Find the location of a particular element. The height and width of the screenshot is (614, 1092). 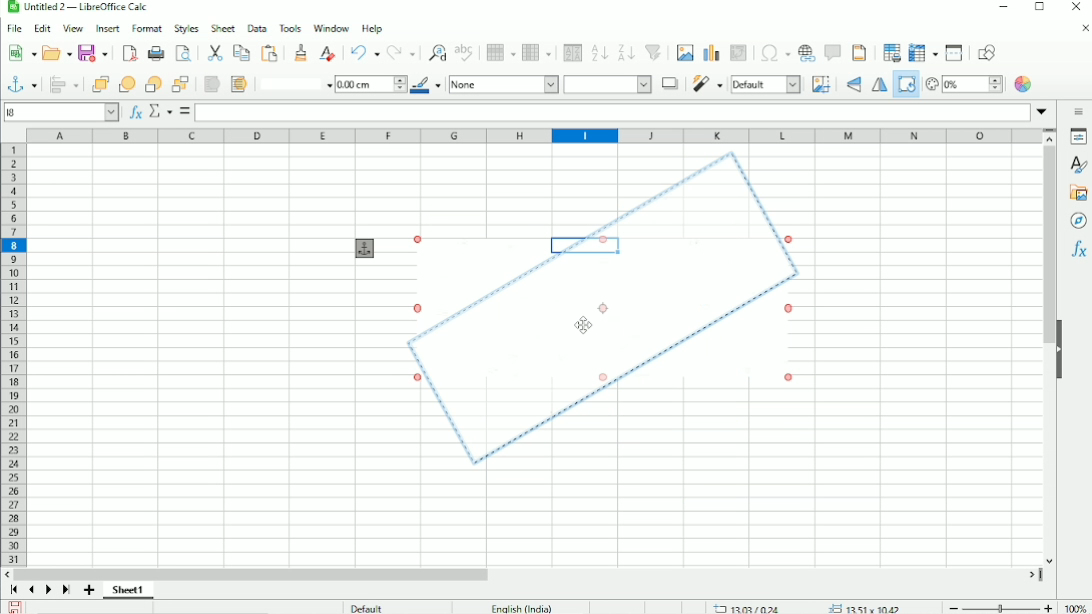

To background is located at coordinates (238, 84).